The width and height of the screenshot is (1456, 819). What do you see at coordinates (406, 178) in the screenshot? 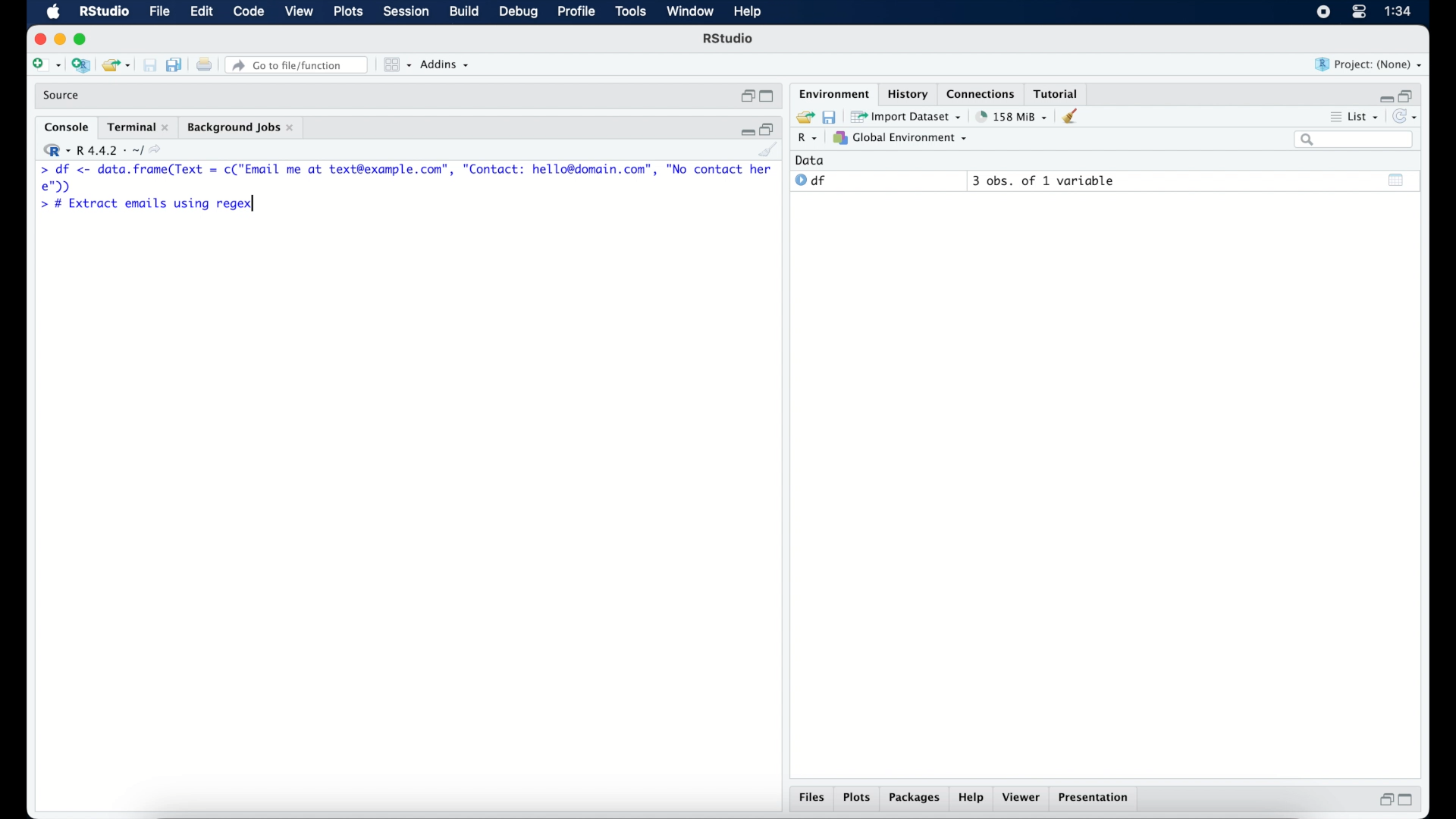
I see `> df <- Se renee = c("Email me at text@example.com”, "Contact: hello@domain.com”, "No contact
here");` at bounding box center [406, 178].